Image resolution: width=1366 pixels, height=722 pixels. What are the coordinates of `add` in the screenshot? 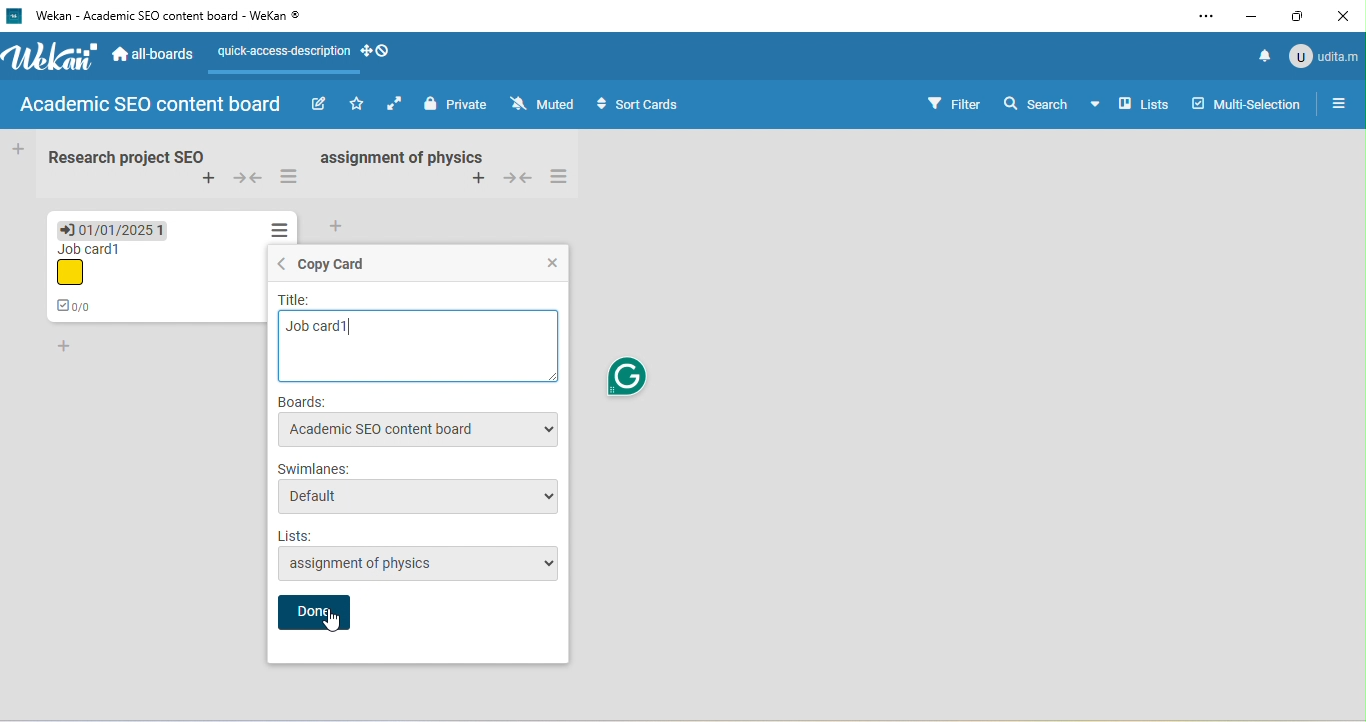 It's located at (65, 347).